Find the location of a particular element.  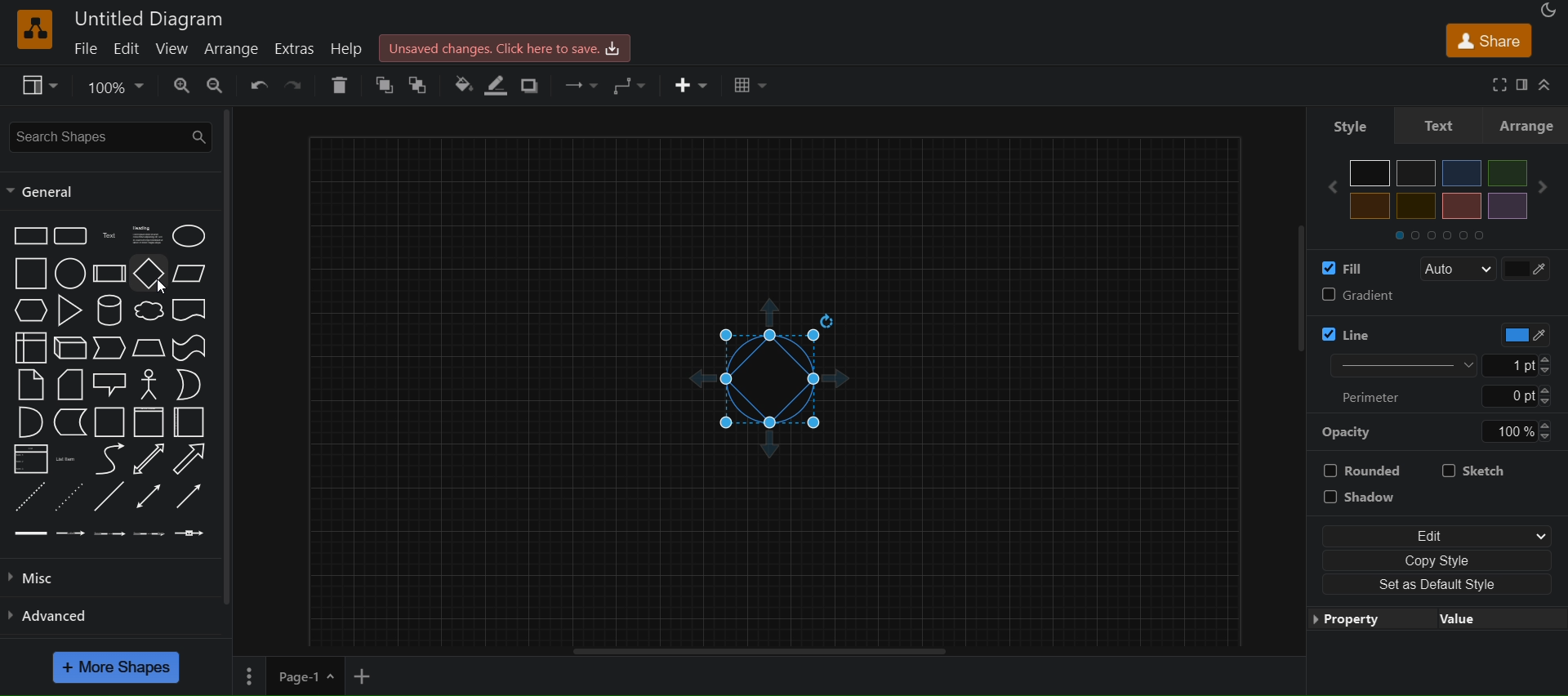

color is located at coordinates (1530, 267).